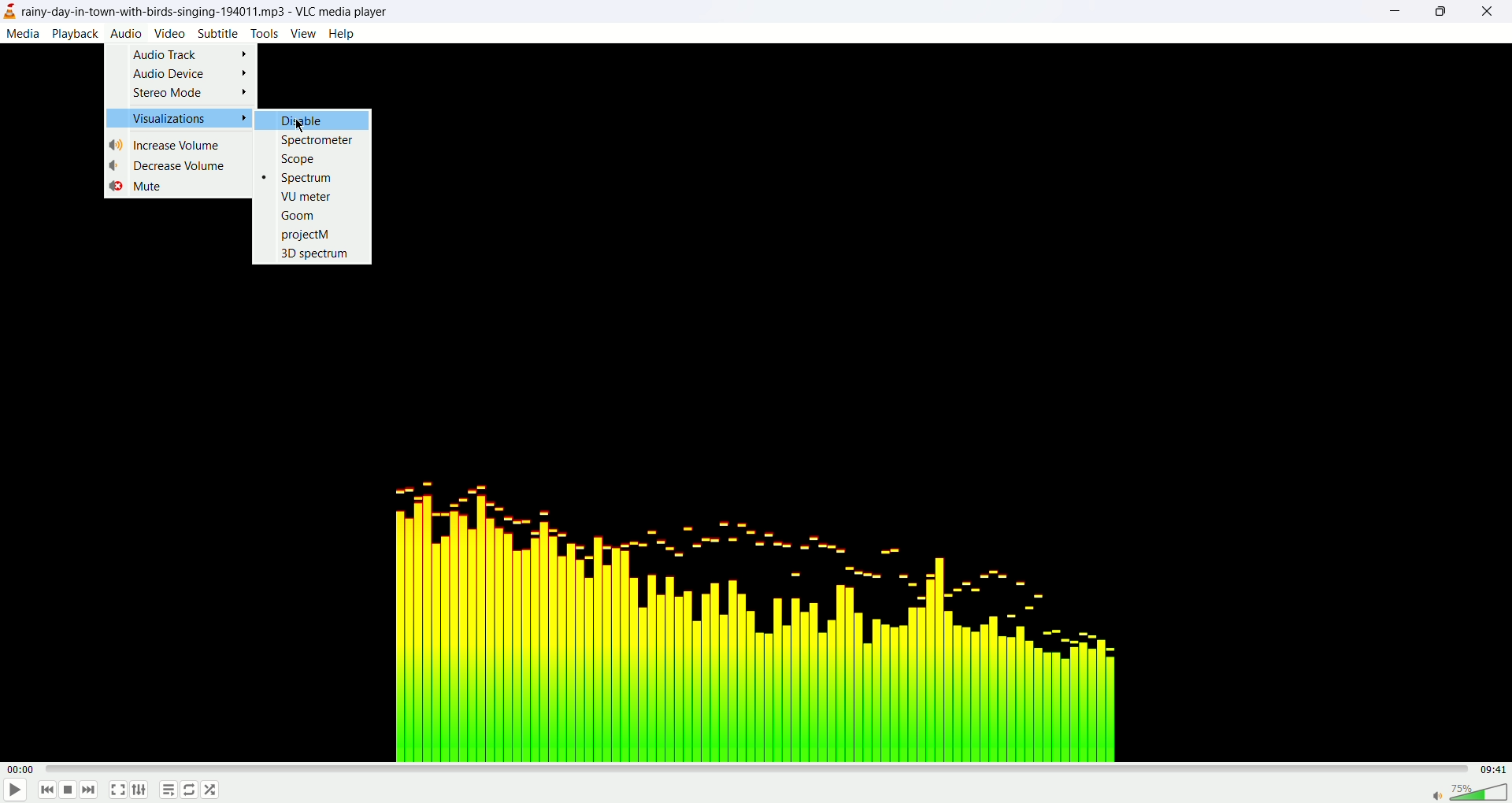 This screenshot has height=803, width=1512. I want to click on 3D spectrum, so click(317, 253).